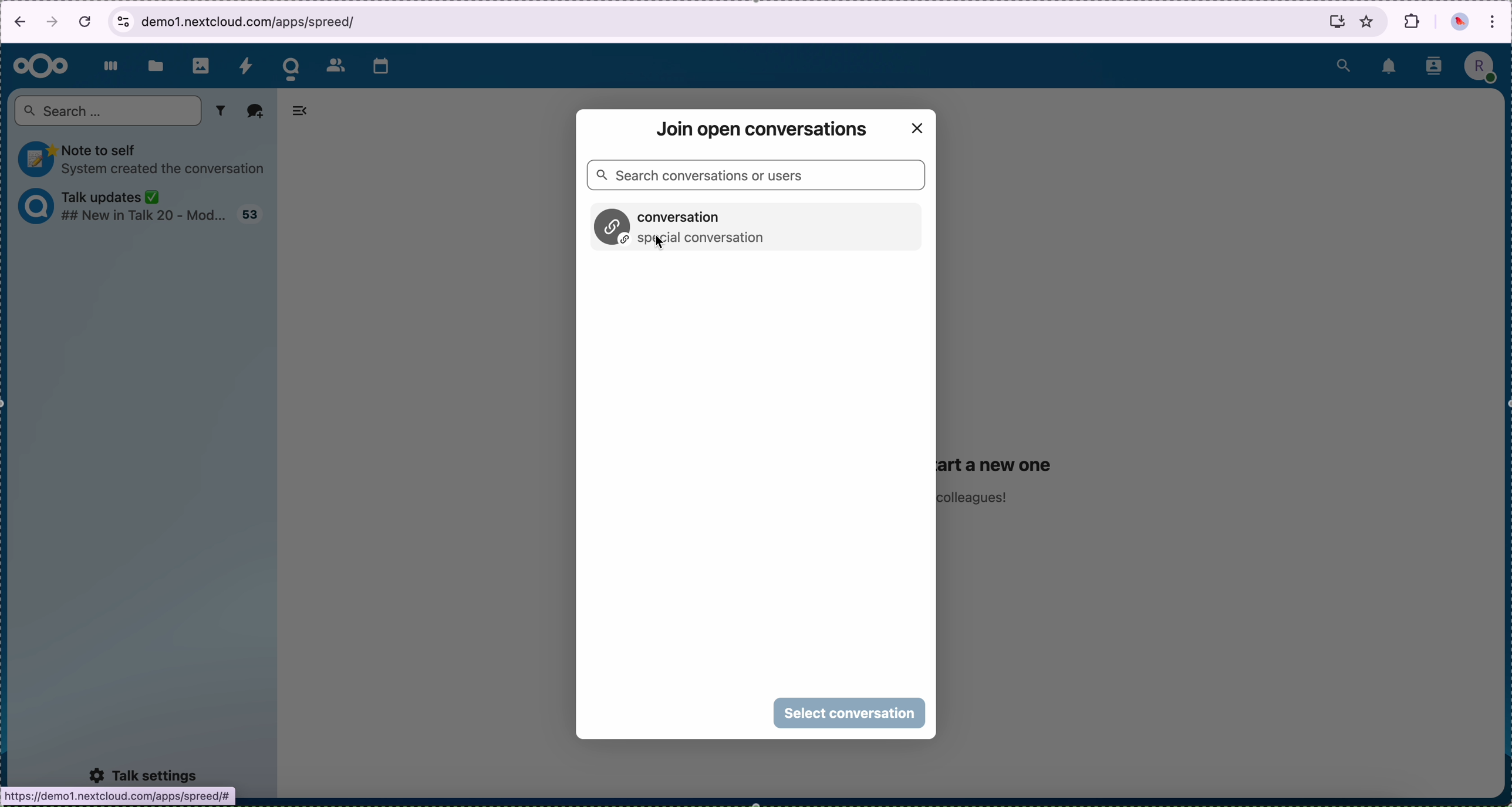 The width and height of the screenshot is (1512, 807). I want to click on talk updates, so click(118, 206).